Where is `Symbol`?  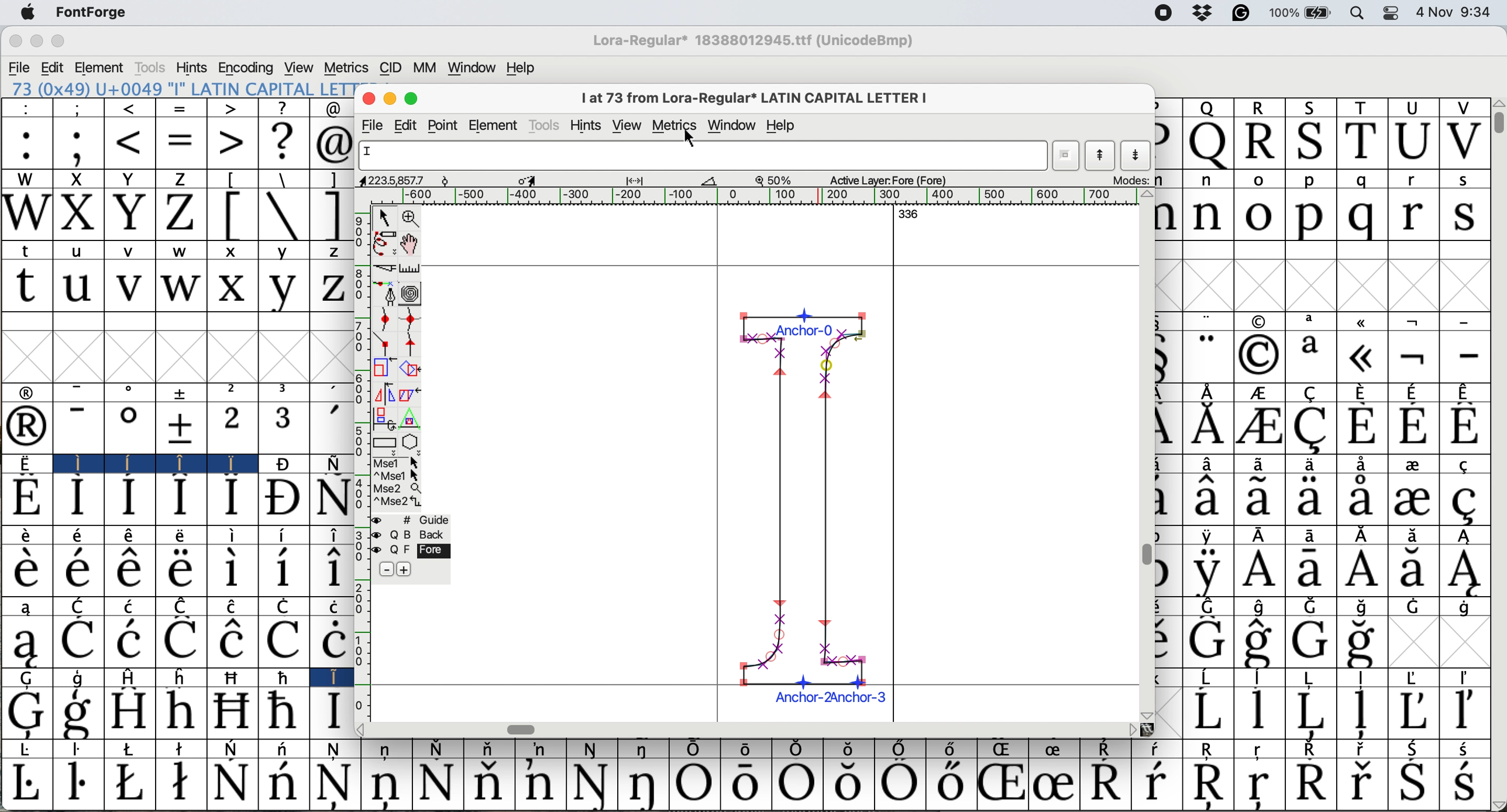 Symbol is located at coordinates (1467, 748).